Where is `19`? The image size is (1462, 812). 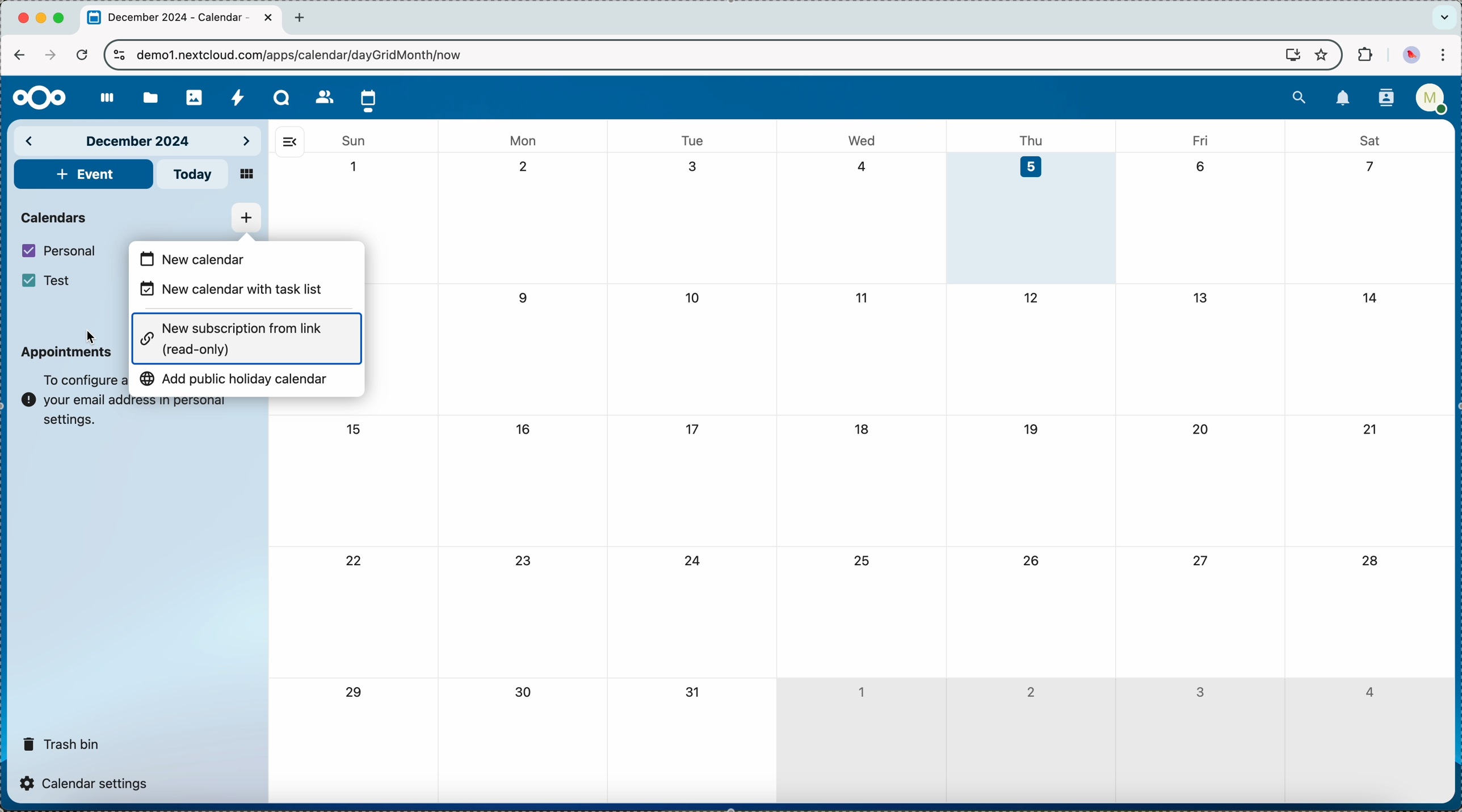 19 is located at coordinates (1032, 428).